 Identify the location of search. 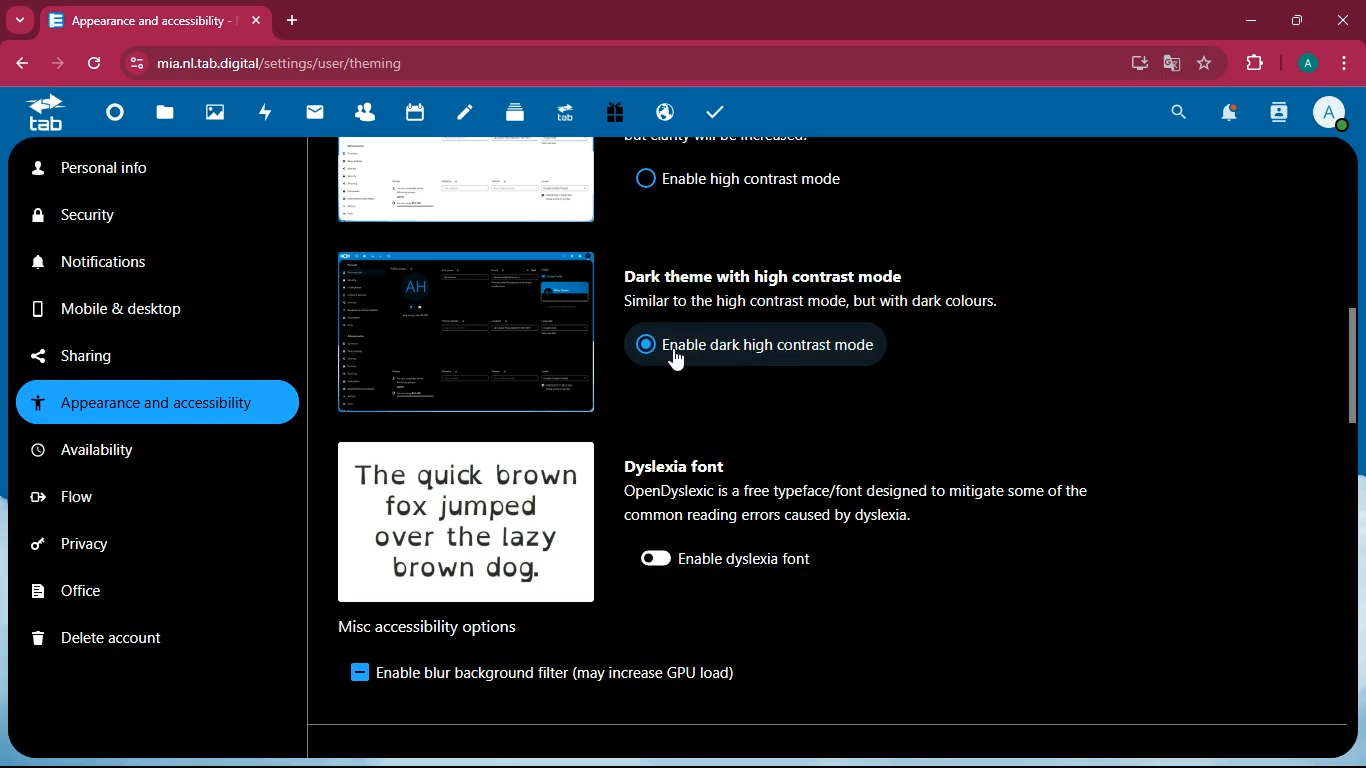
(1173, 114).